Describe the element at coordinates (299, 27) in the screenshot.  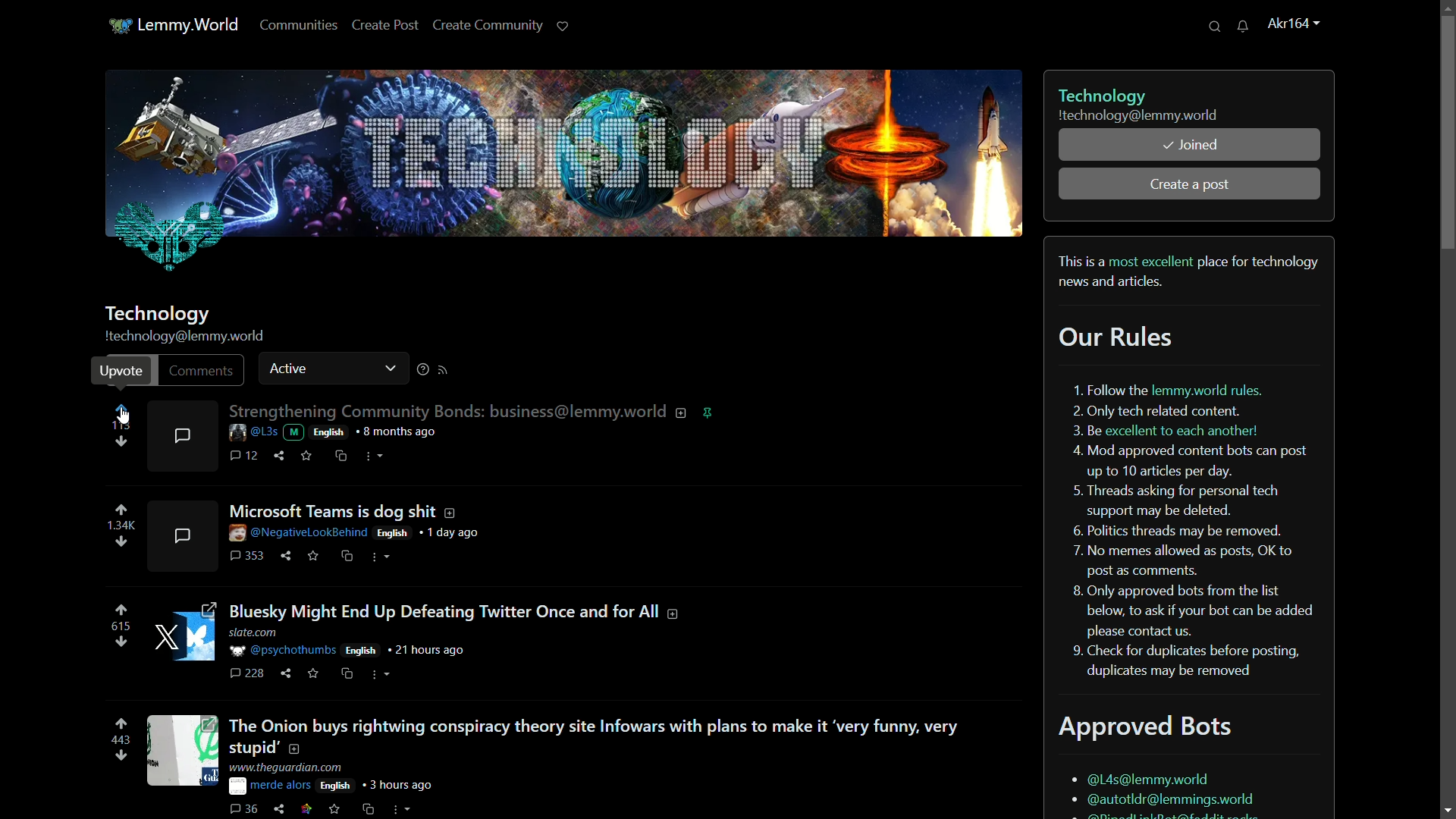
I see `communities` at that location.